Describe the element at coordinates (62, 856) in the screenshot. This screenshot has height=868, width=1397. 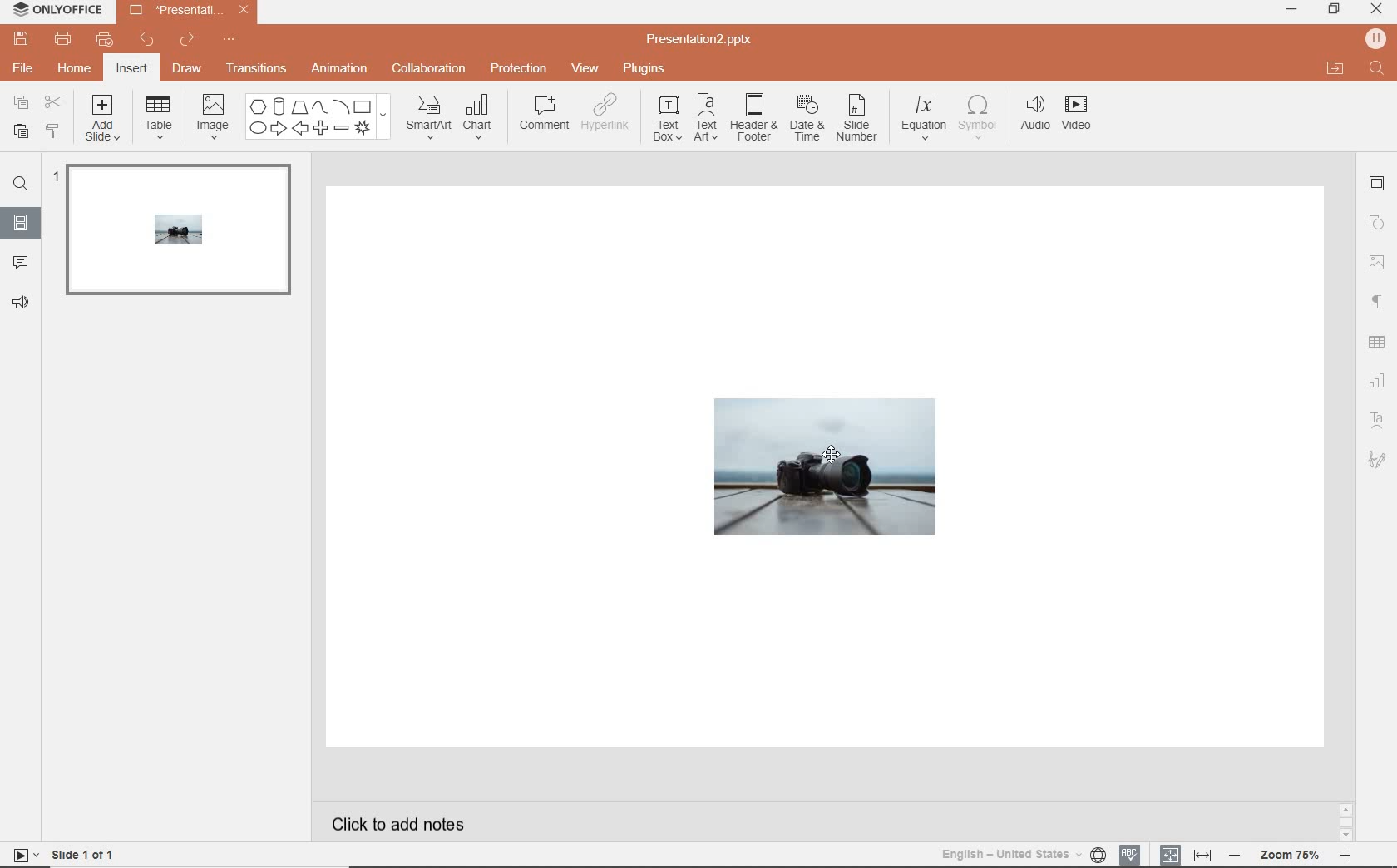
I see `slide 1 of 1` at that location.